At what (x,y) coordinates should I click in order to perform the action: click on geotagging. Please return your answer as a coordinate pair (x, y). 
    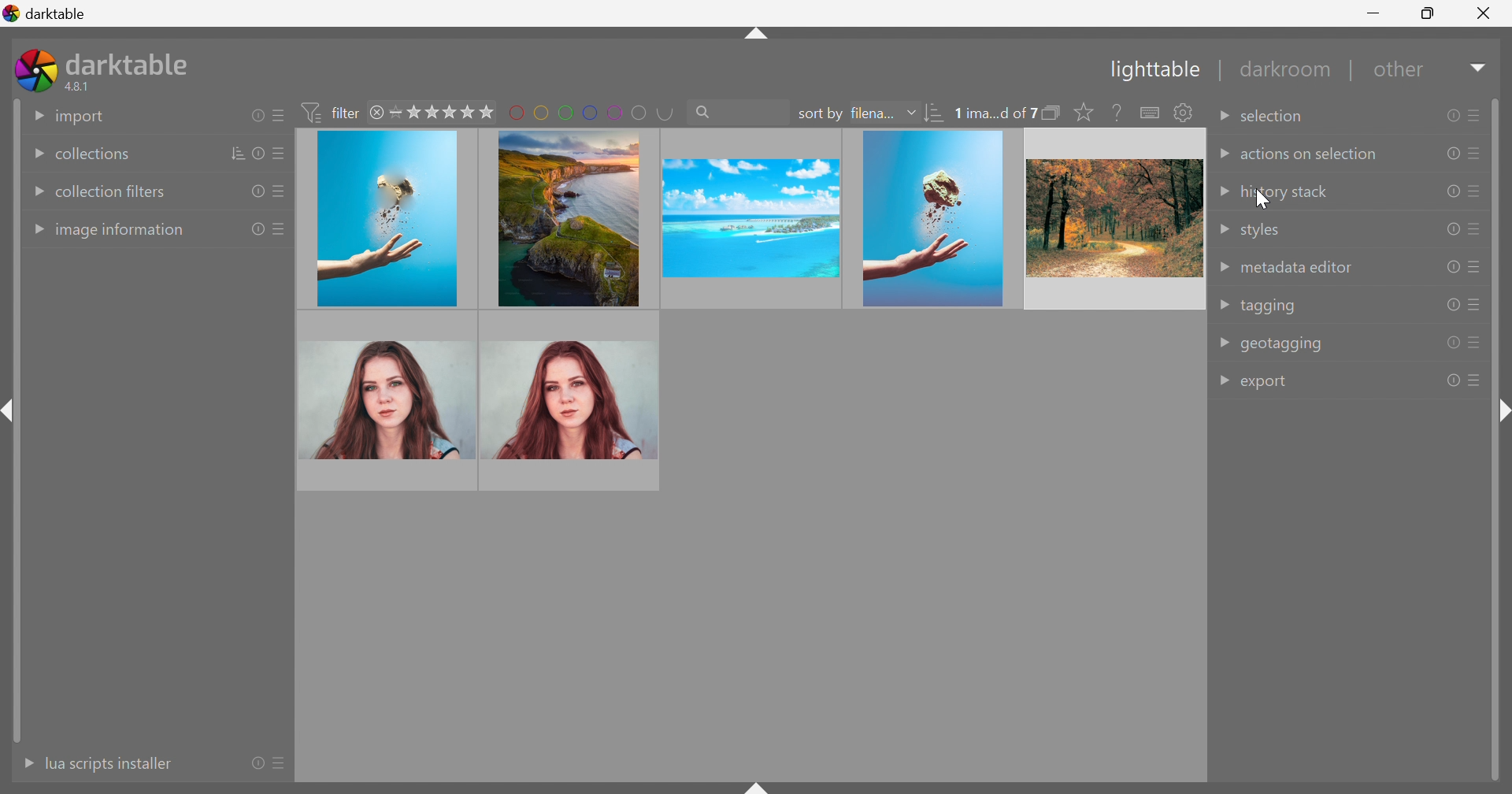
    Looking at the image, I should click on (1281, 347).